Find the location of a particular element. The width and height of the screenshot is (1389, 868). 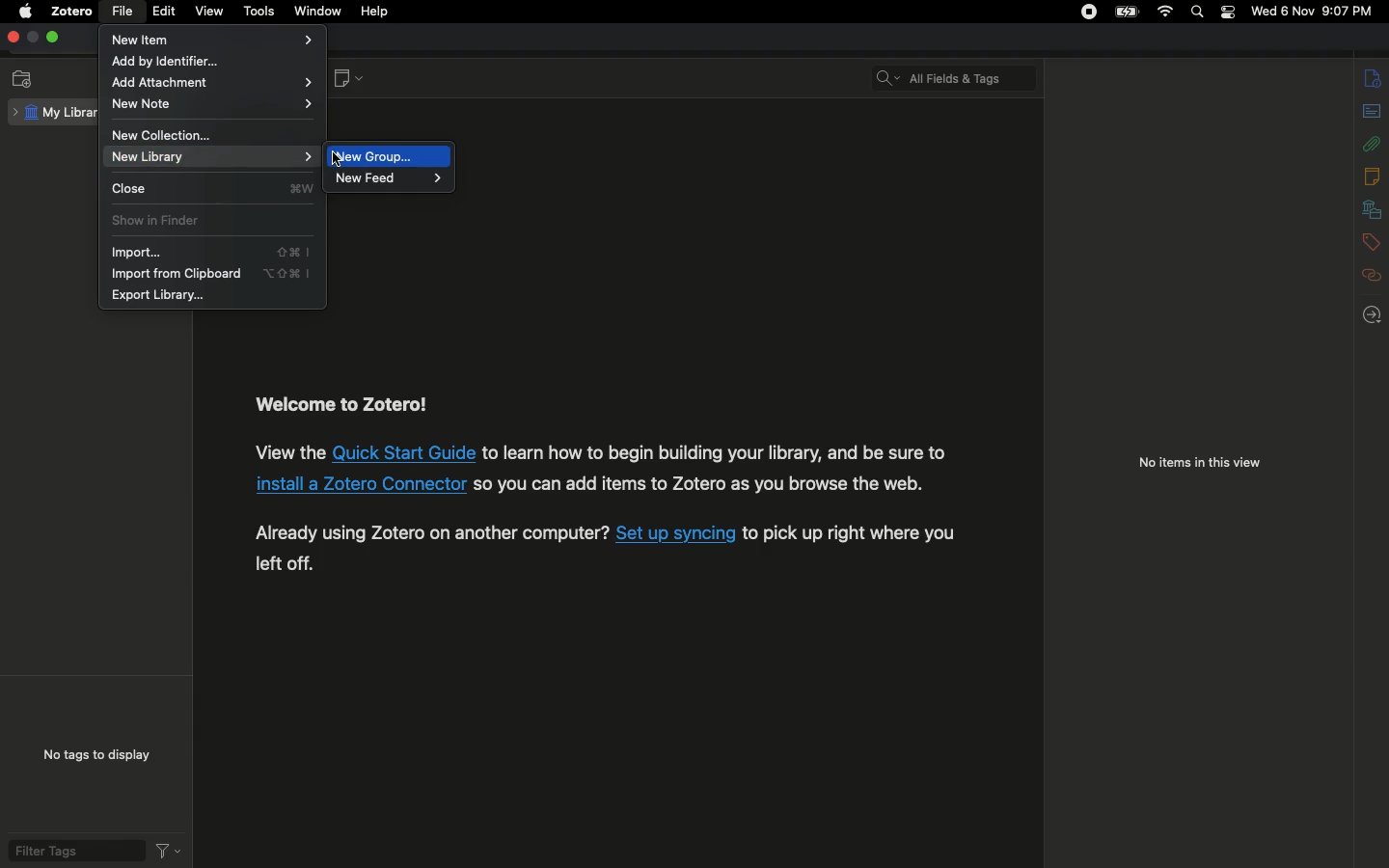

Close is located at coordinates (12, 38).